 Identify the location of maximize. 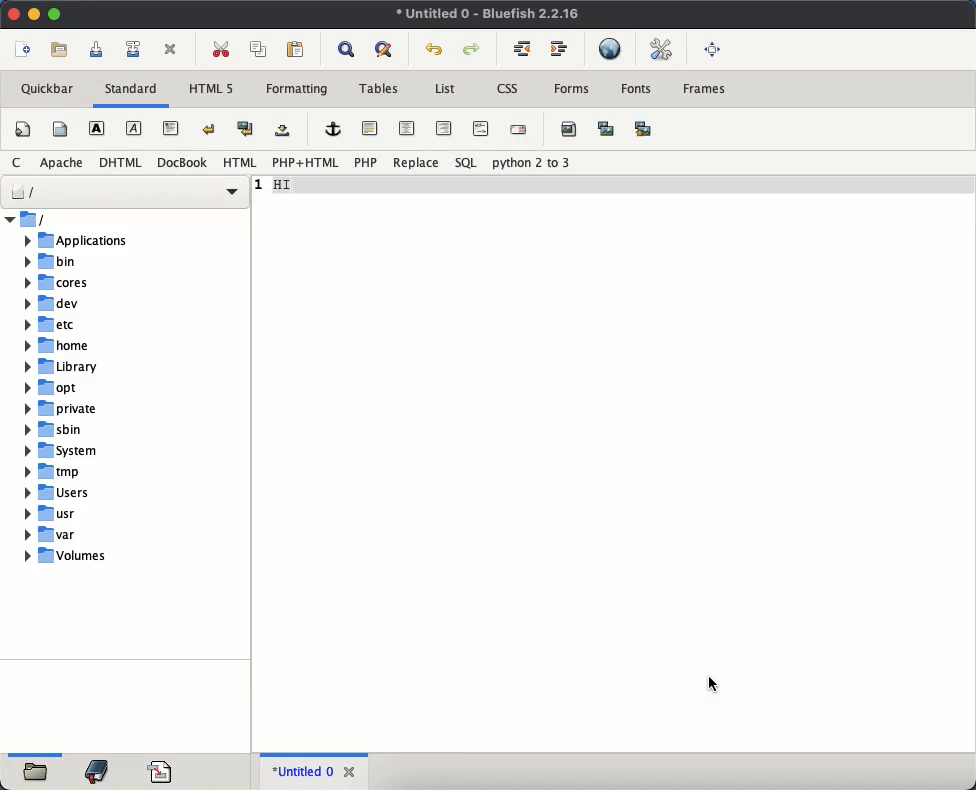
(55, 15).